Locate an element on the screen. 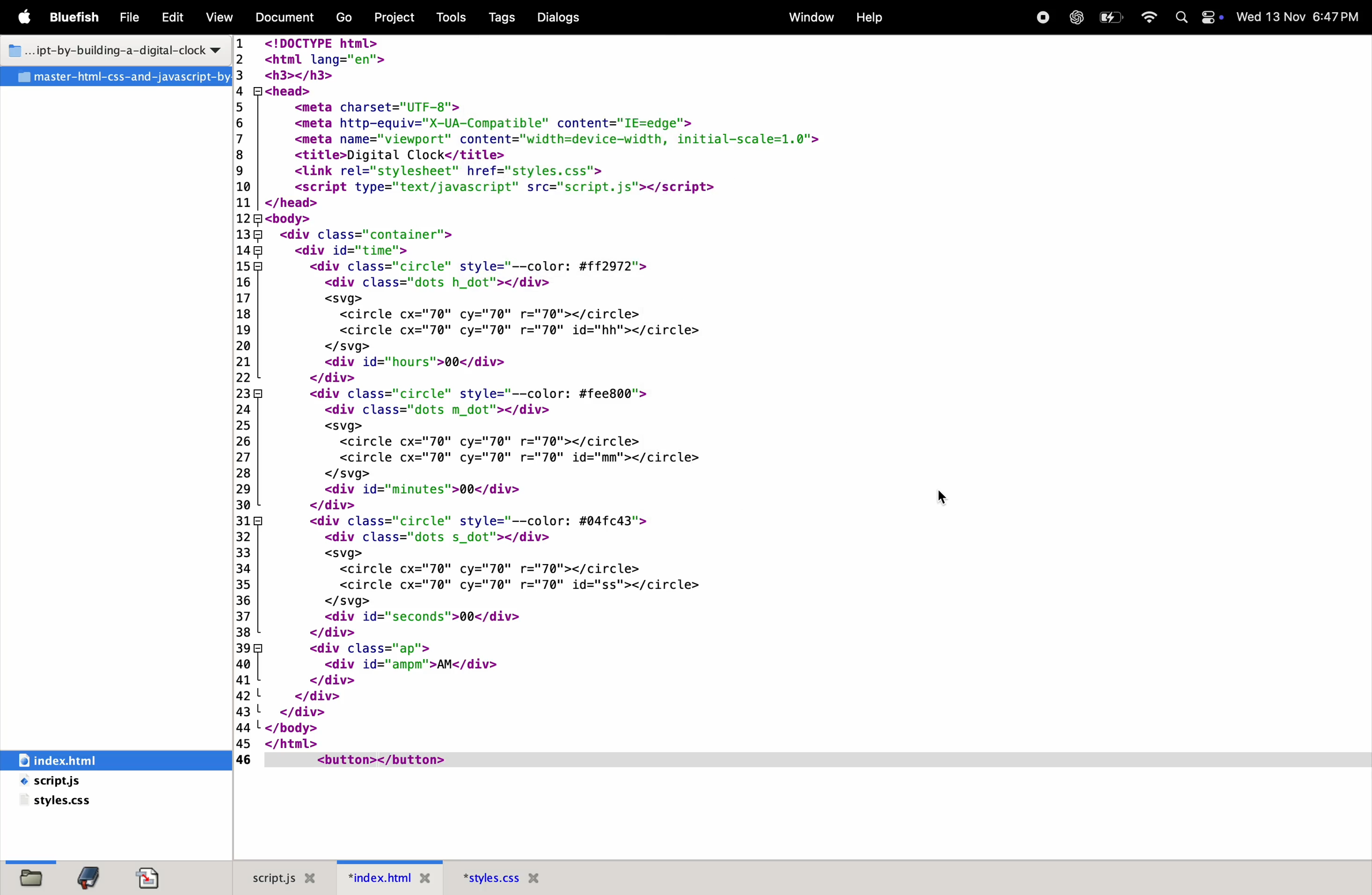  Close file is located at coordinates (425, 880).